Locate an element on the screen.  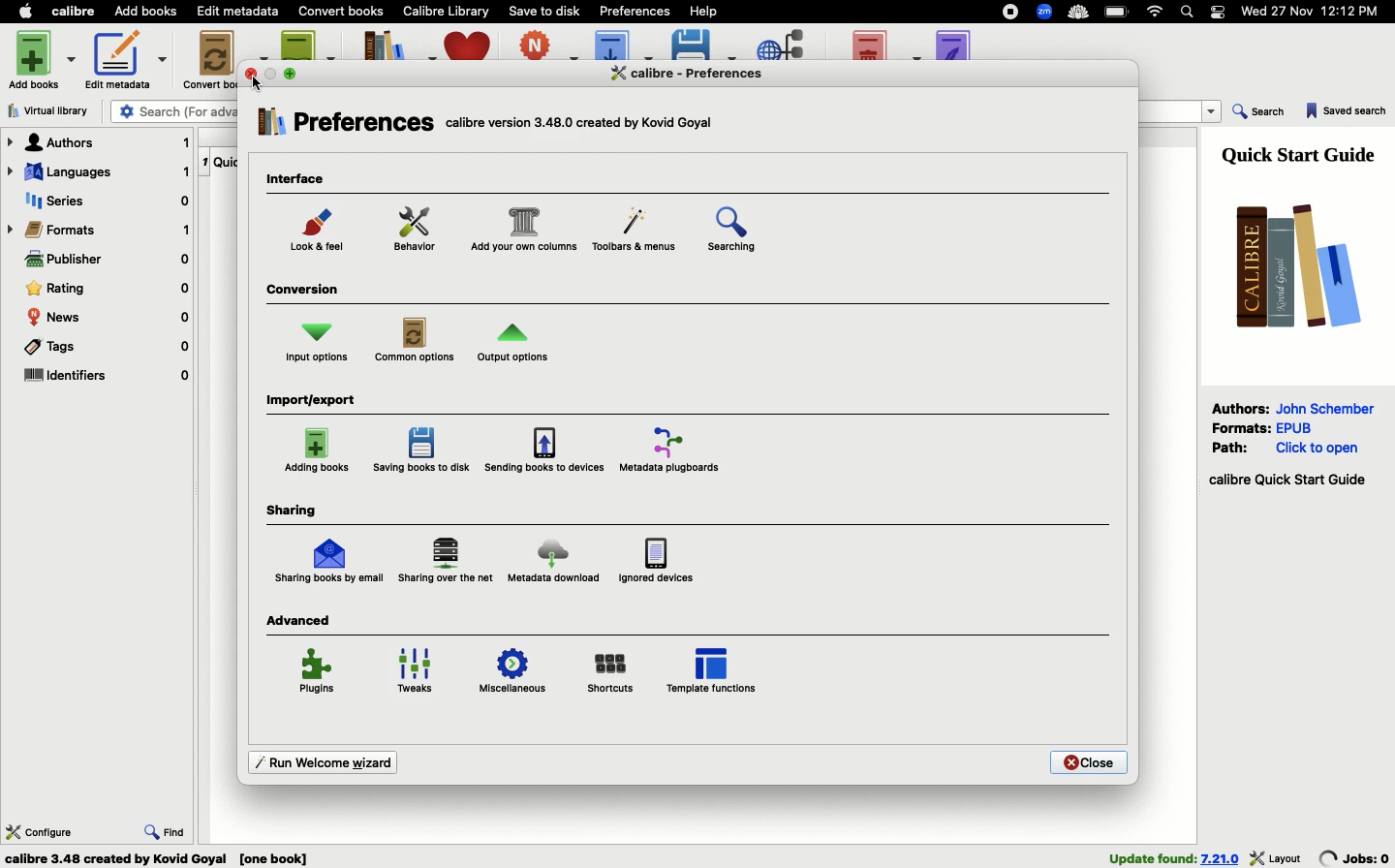
Search is located at coordinates (1259, 113).